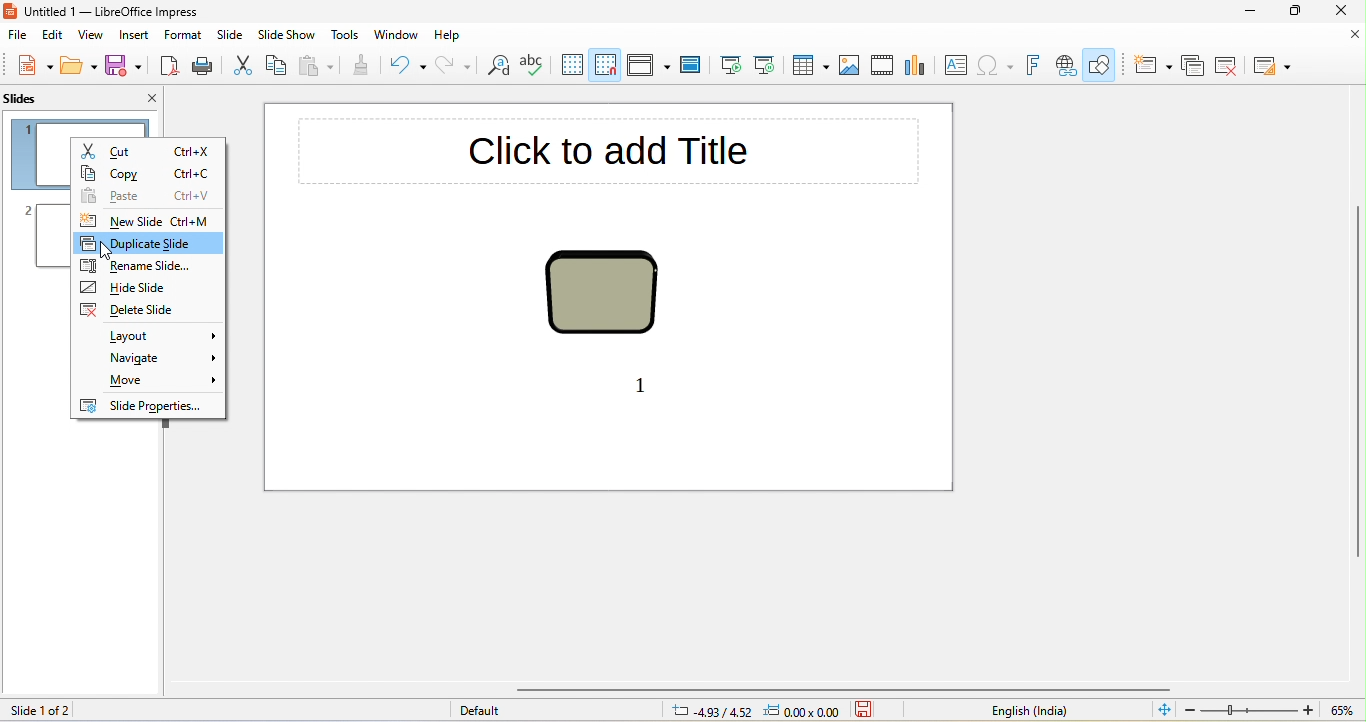 Image resolution: width=1366 pixels, height=722 pixels. I want to click on duplicate slide, so click(149, 242).